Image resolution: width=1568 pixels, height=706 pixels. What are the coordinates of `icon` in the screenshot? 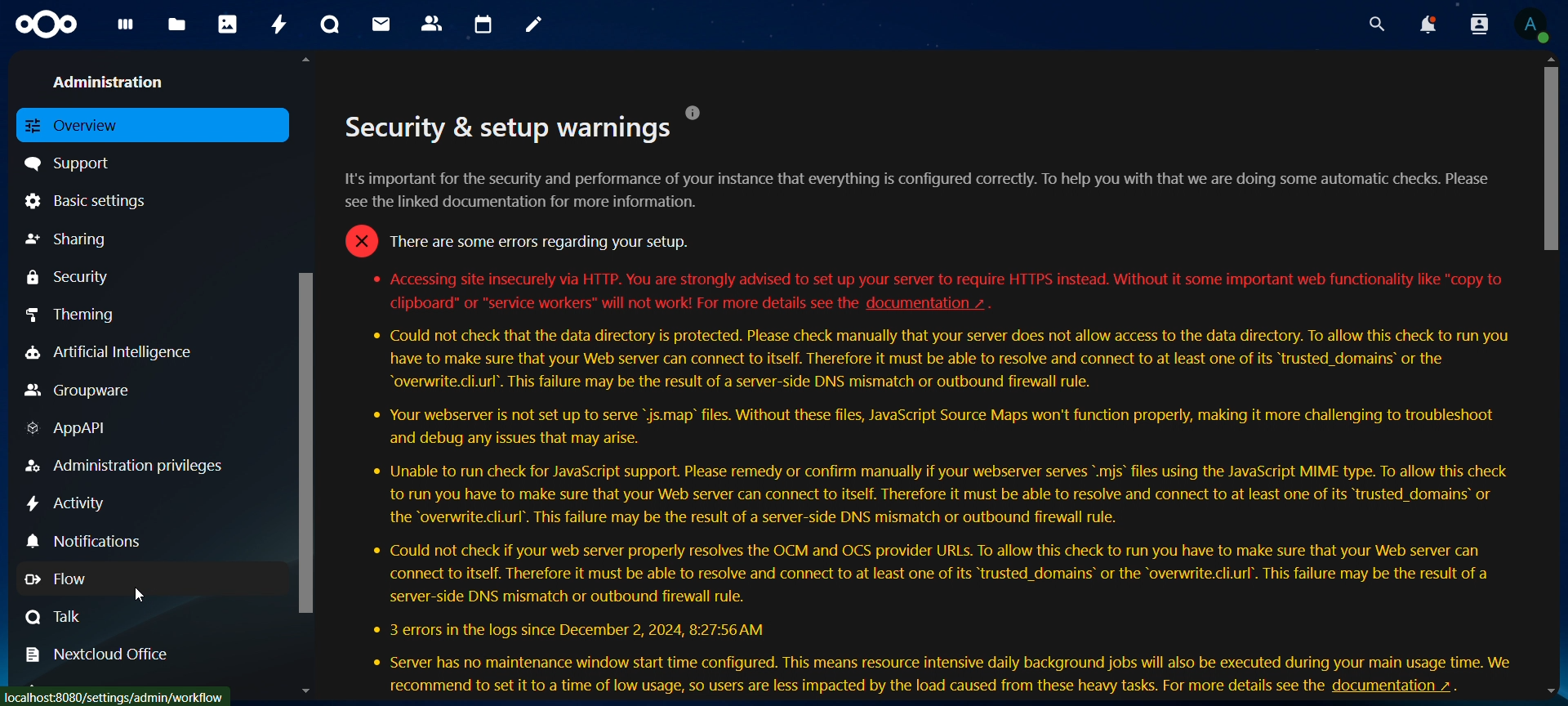 It's located at (48, 25).